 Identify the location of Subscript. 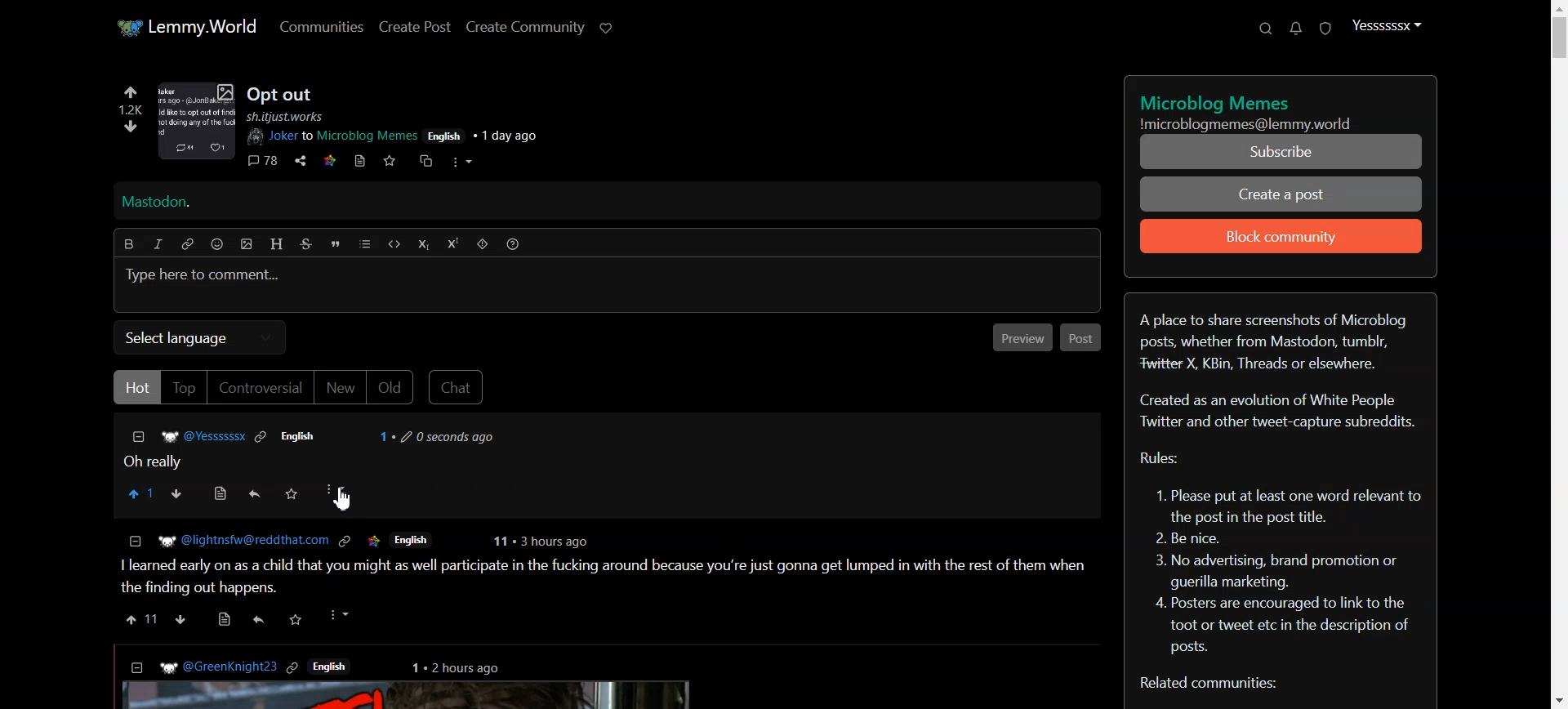
(423, 244).